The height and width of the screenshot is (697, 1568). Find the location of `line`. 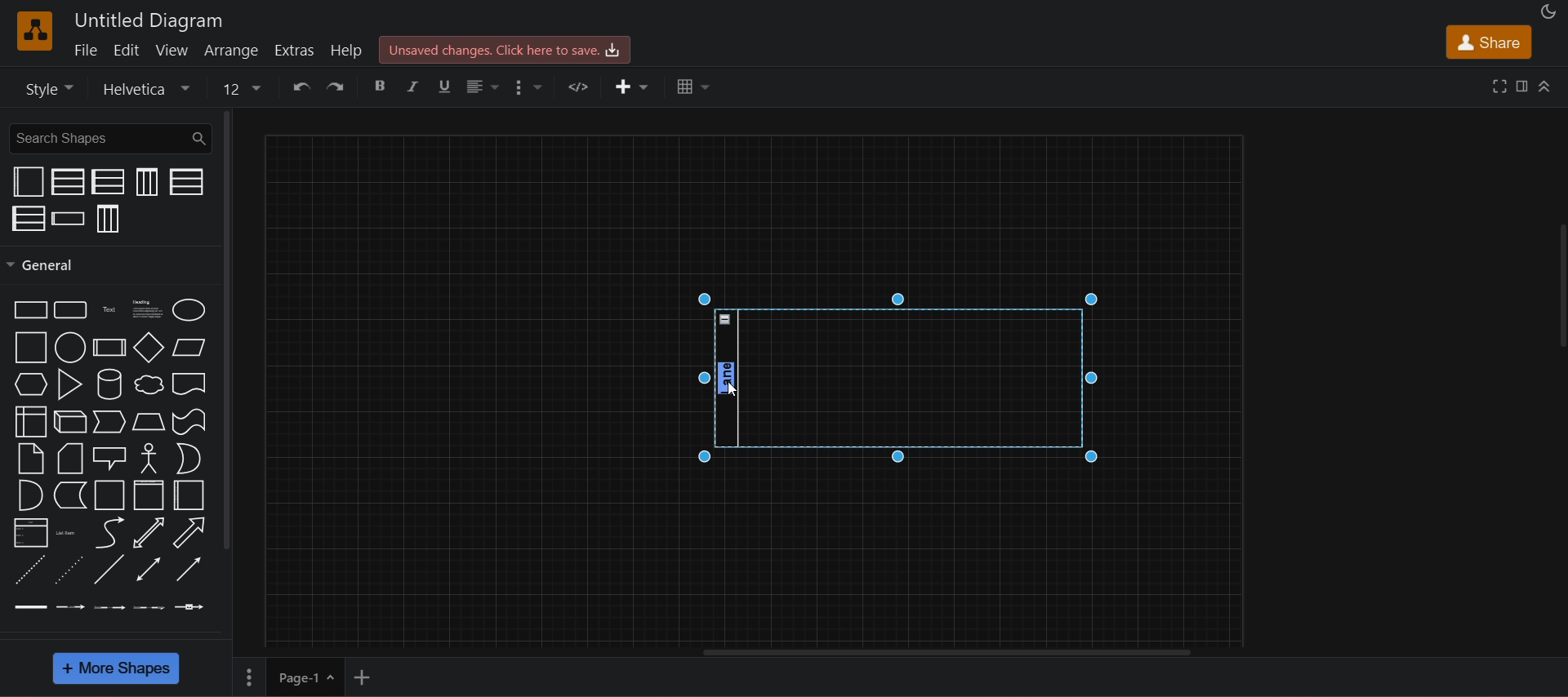

line is located at coordinates (109, 568).